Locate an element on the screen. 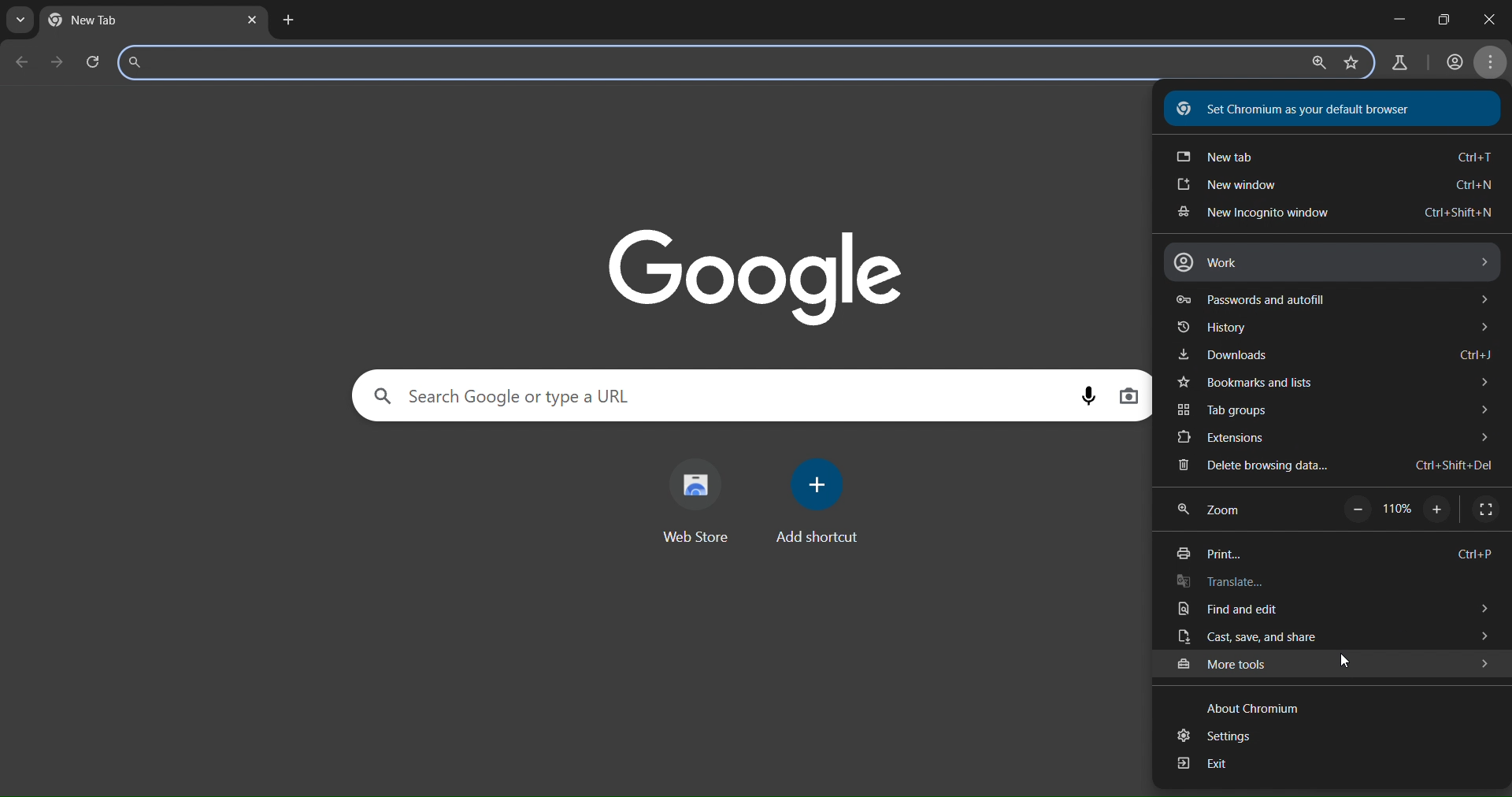  new tab is located at coordinates (288, 21).